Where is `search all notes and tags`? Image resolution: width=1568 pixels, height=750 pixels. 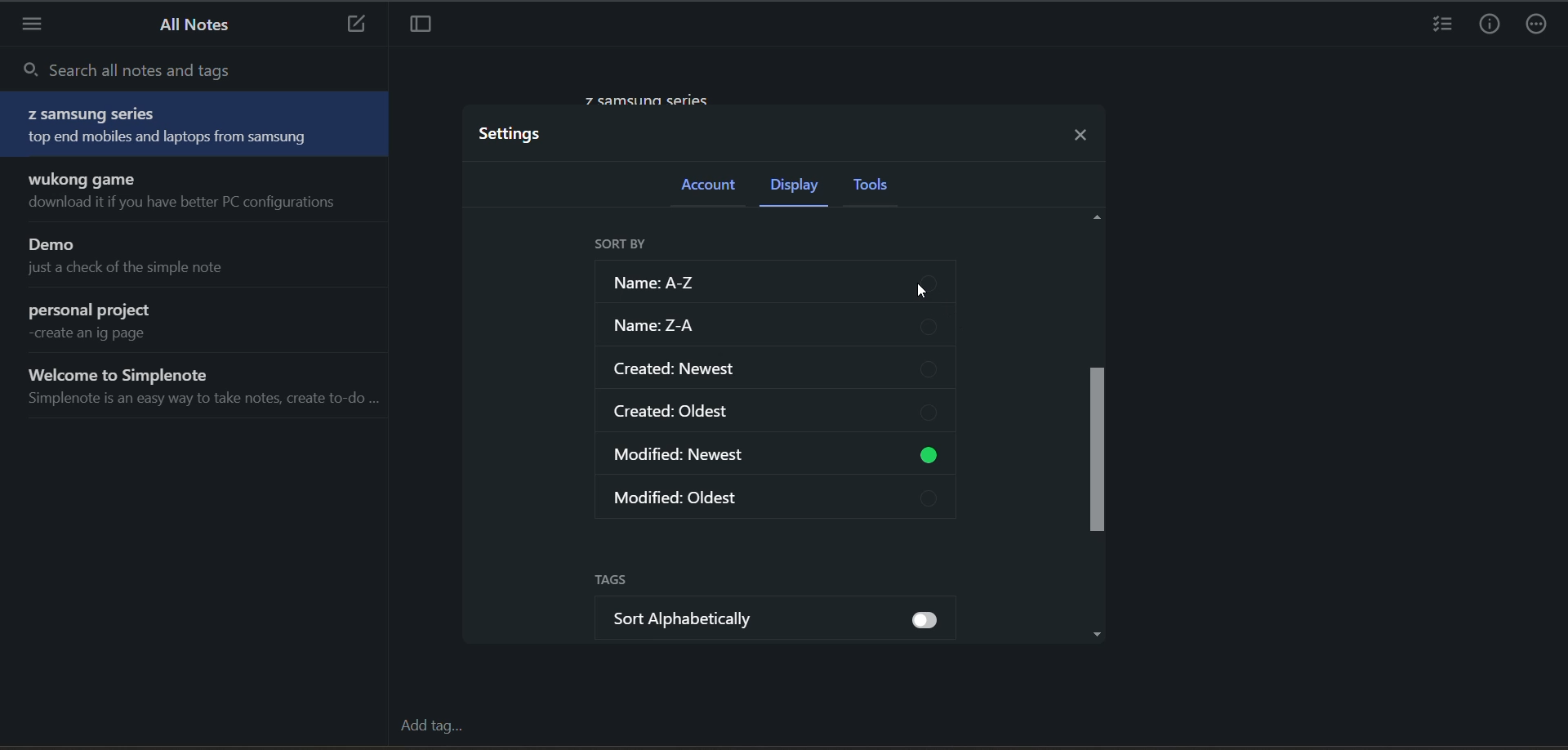
search all notes and tags is located at coordinates (195, 71).